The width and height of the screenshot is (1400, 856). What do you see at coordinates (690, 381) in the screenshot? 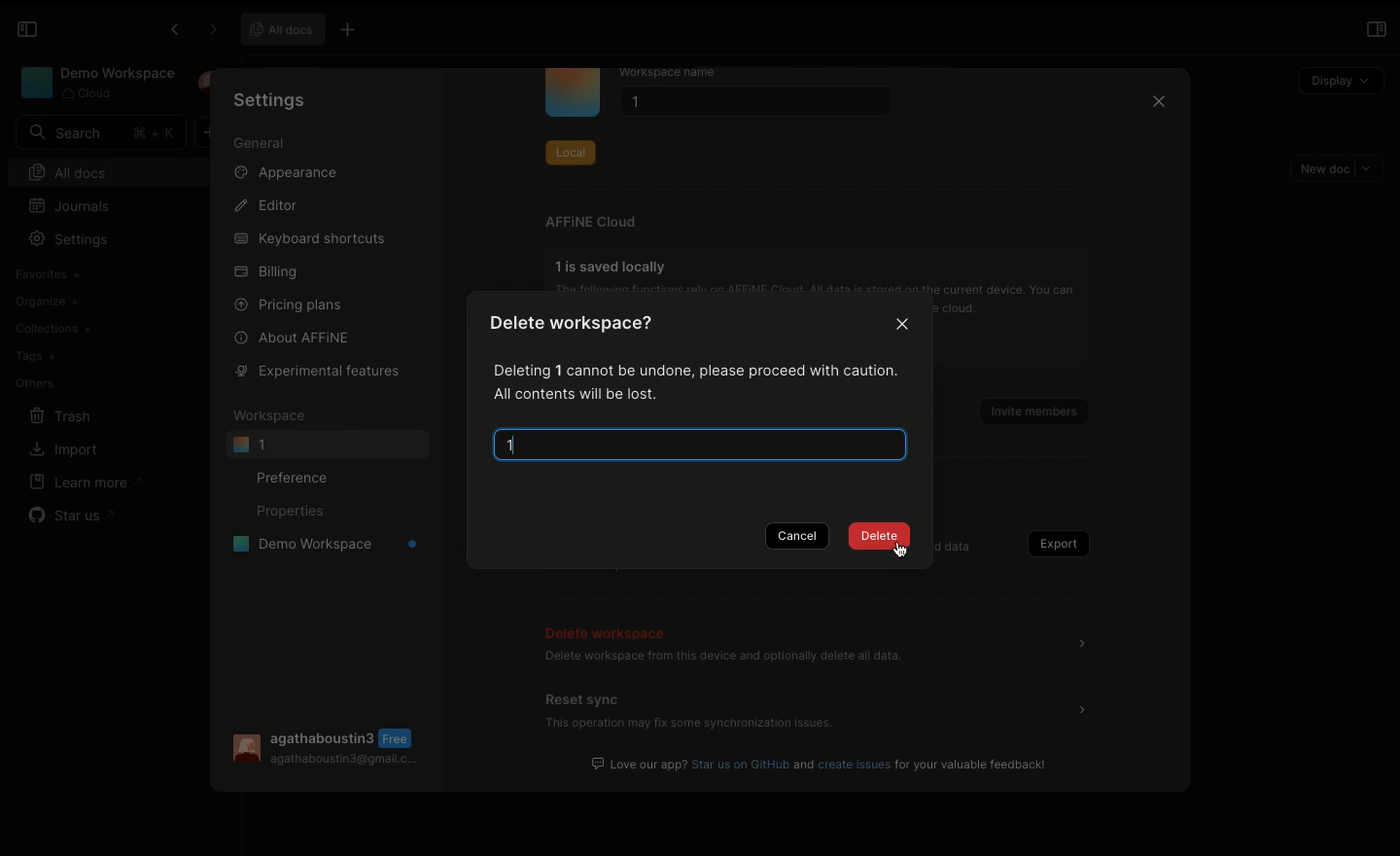
I see `Deleting 1 cannot be undone, please proceed with caution. All contents will be lost` at bounding box center [690, 381].